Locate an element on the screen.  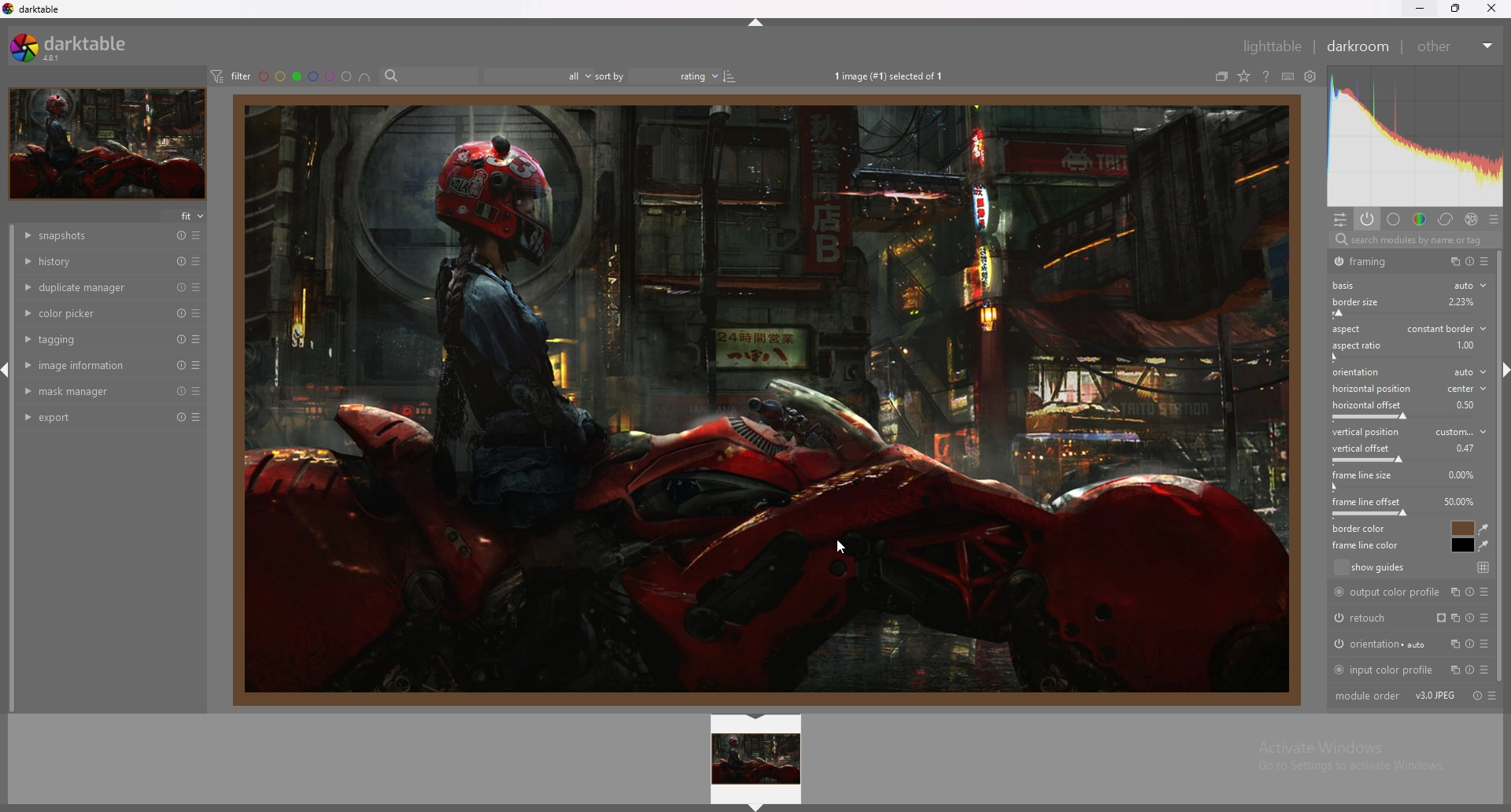
presets is located at coordinates (1492, 217).